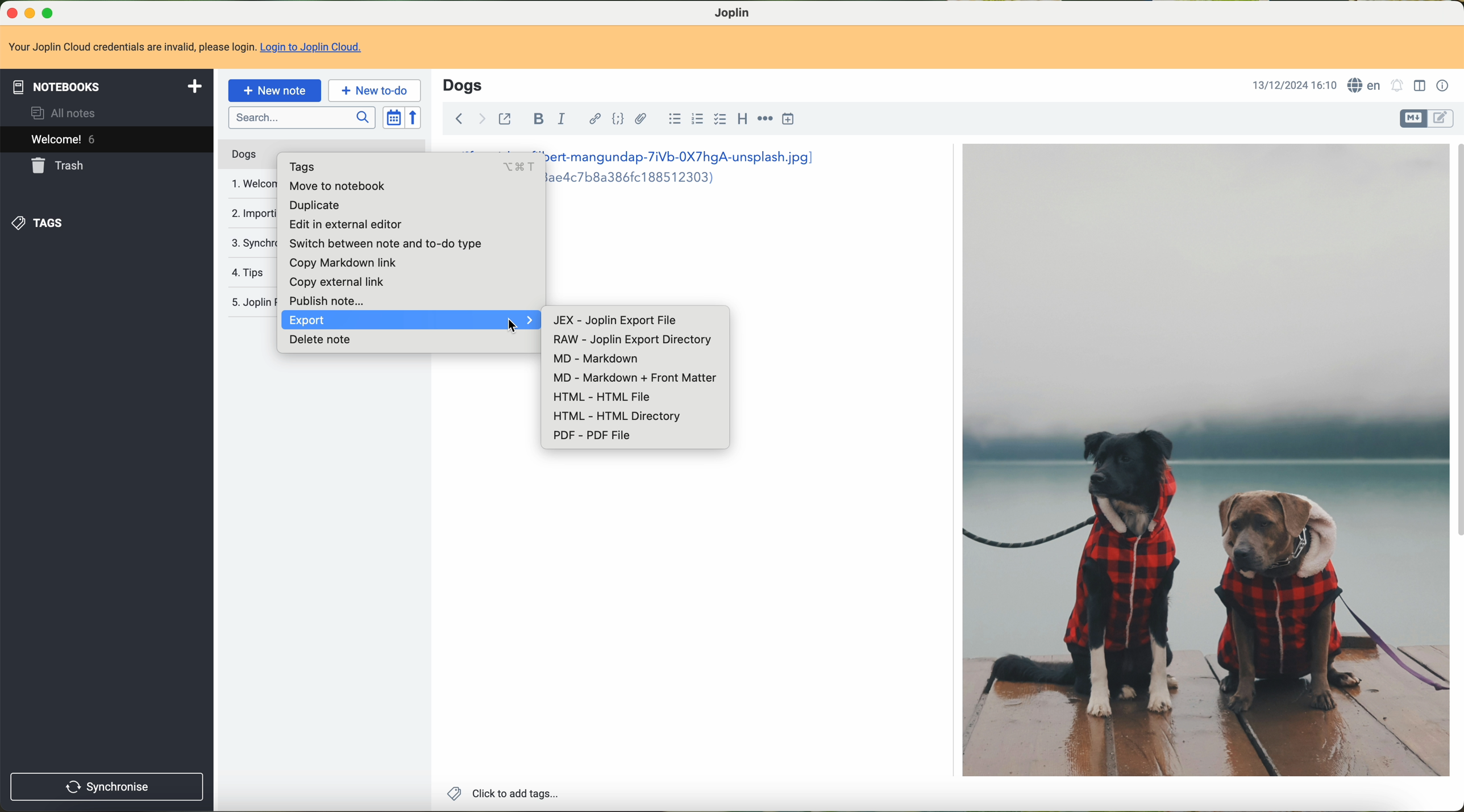 The image size is (1464, 812). Describe the element at coordinates (390, 320) in the screenshot. I see `export` at that location.